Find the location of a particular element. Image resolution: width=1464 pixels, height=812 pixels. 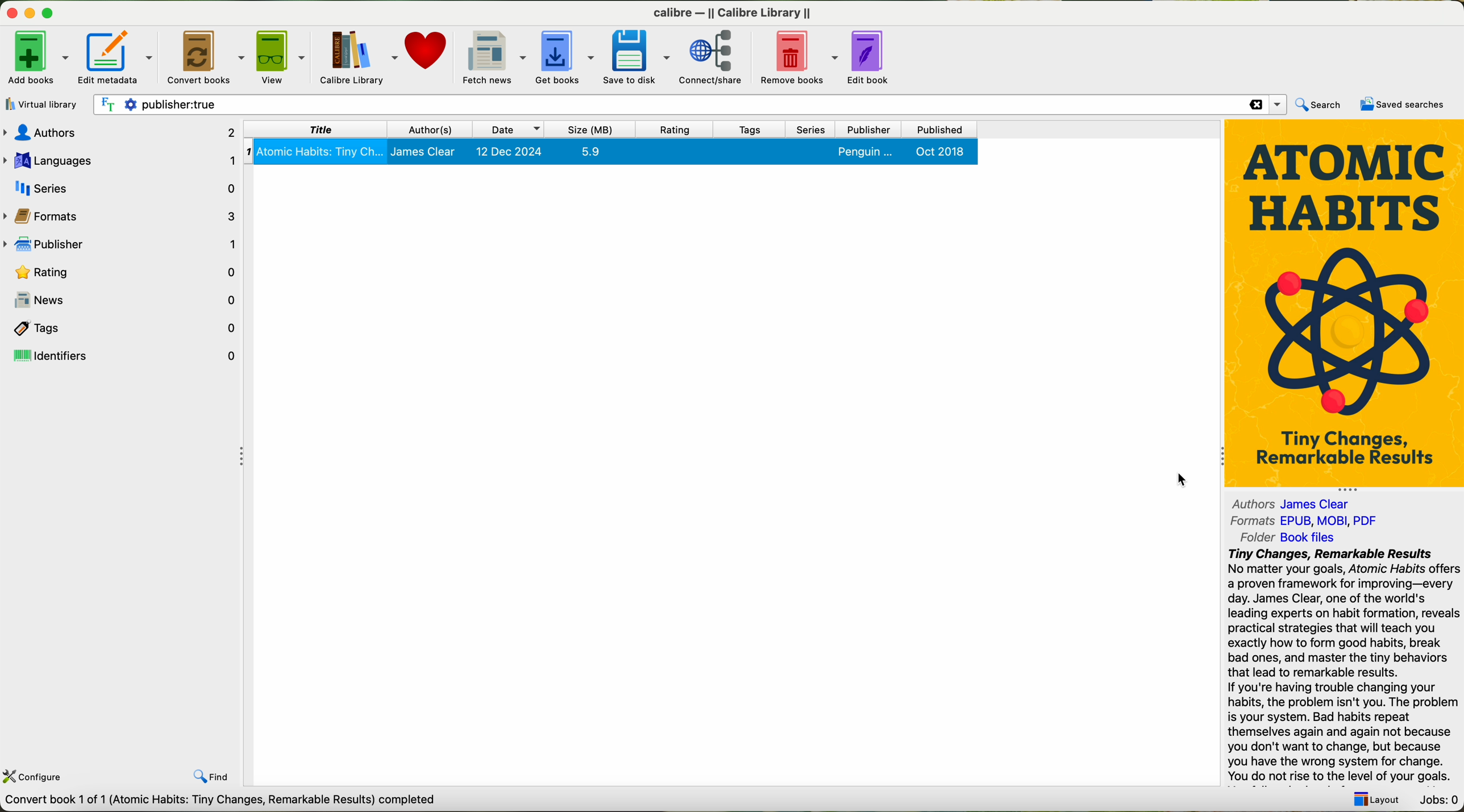

layout is located at coordinates (1373, 799).